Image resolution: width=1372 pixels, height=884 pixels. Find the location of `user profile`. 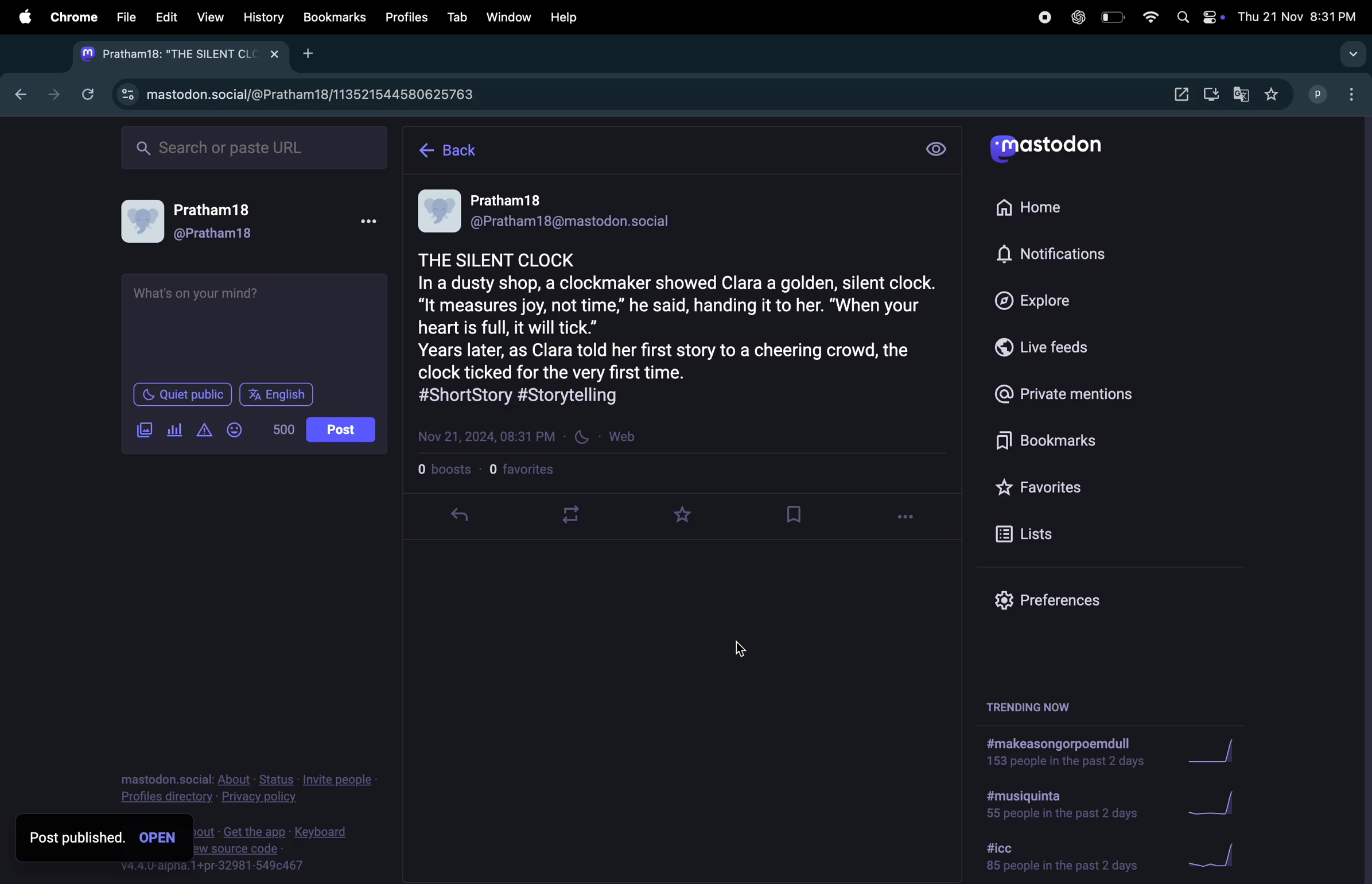

user profile is located at coordinates (145, 222).